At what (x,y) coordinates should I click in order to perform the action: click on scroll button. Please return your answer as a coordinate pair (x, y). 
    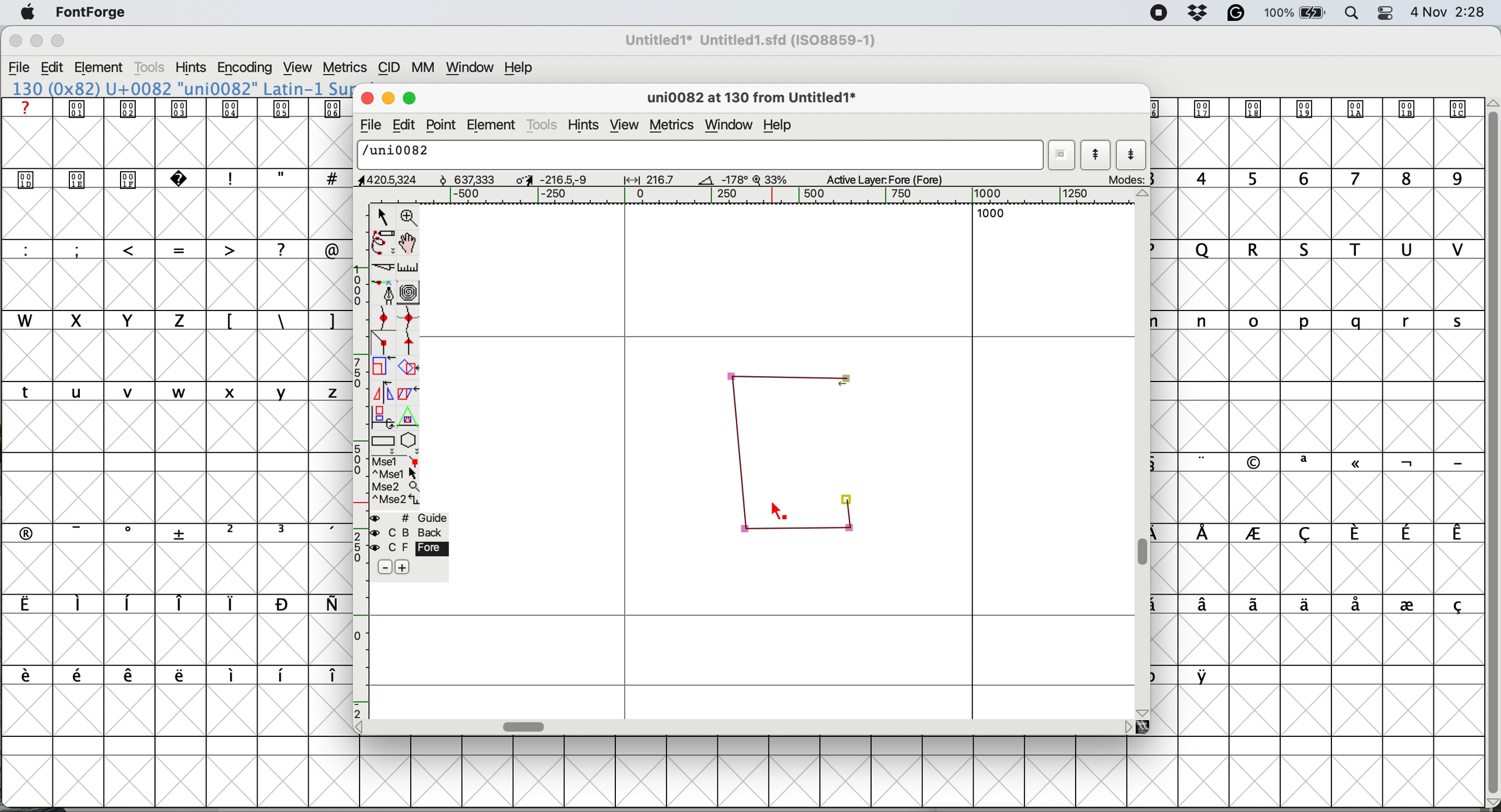
    Looking at the image, I should click on (1144, 711).